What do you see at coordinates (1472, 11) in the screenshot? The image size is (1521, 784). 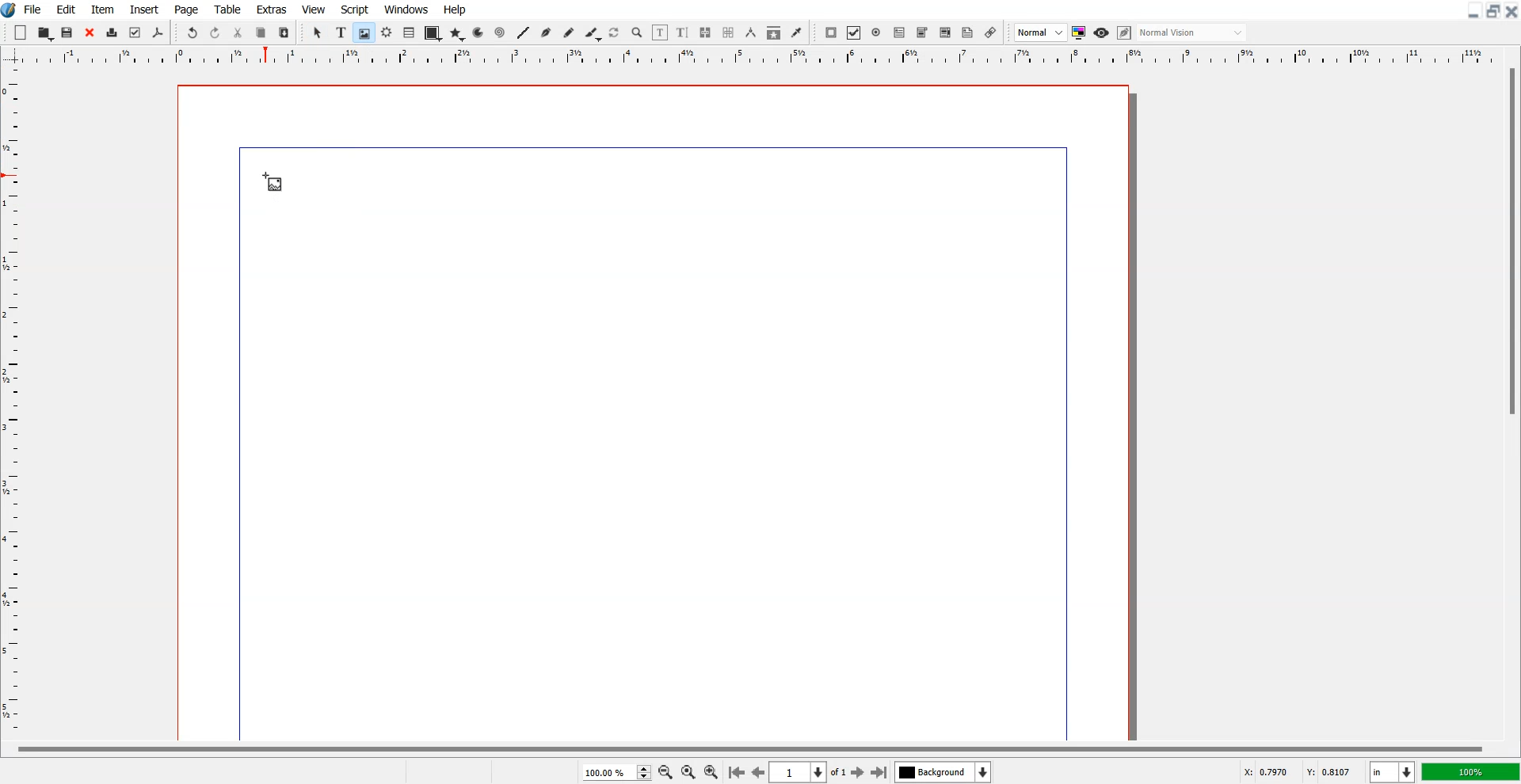 I see `Minimize` at bounding box center [1472, 11].